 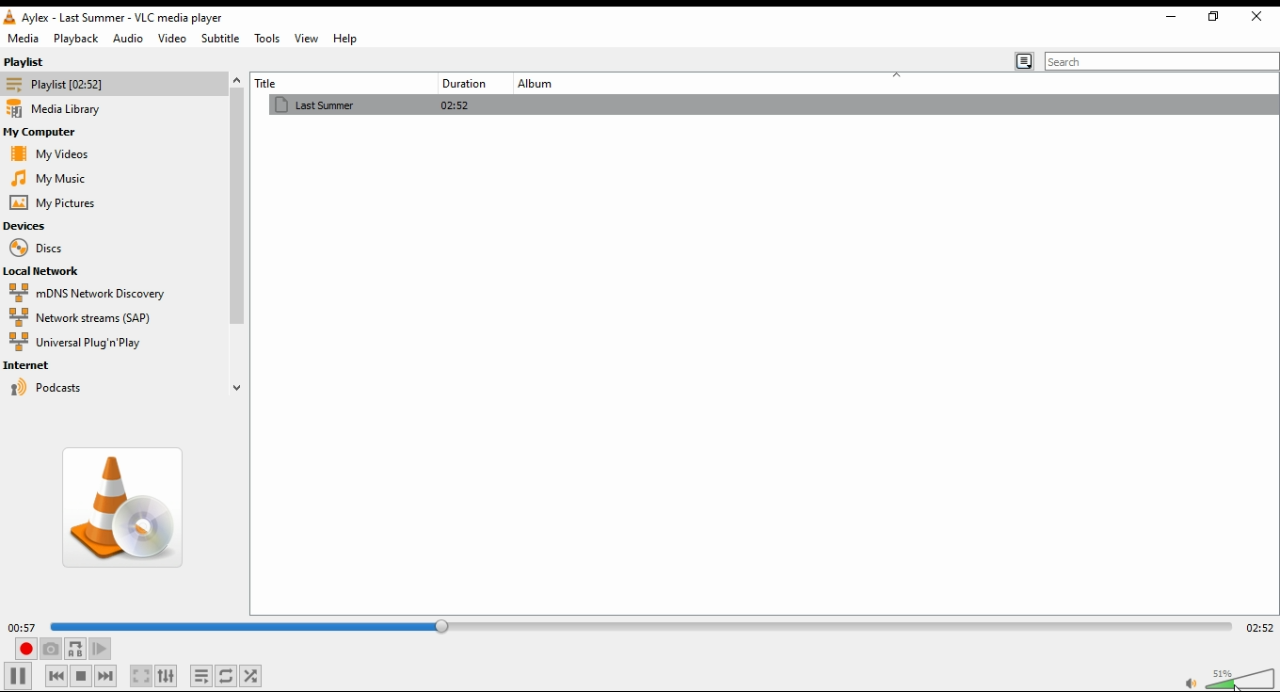 What do you see at coordinates (267, 38) in the screenshot?
I see `tools` at bounding box center [267, 38].